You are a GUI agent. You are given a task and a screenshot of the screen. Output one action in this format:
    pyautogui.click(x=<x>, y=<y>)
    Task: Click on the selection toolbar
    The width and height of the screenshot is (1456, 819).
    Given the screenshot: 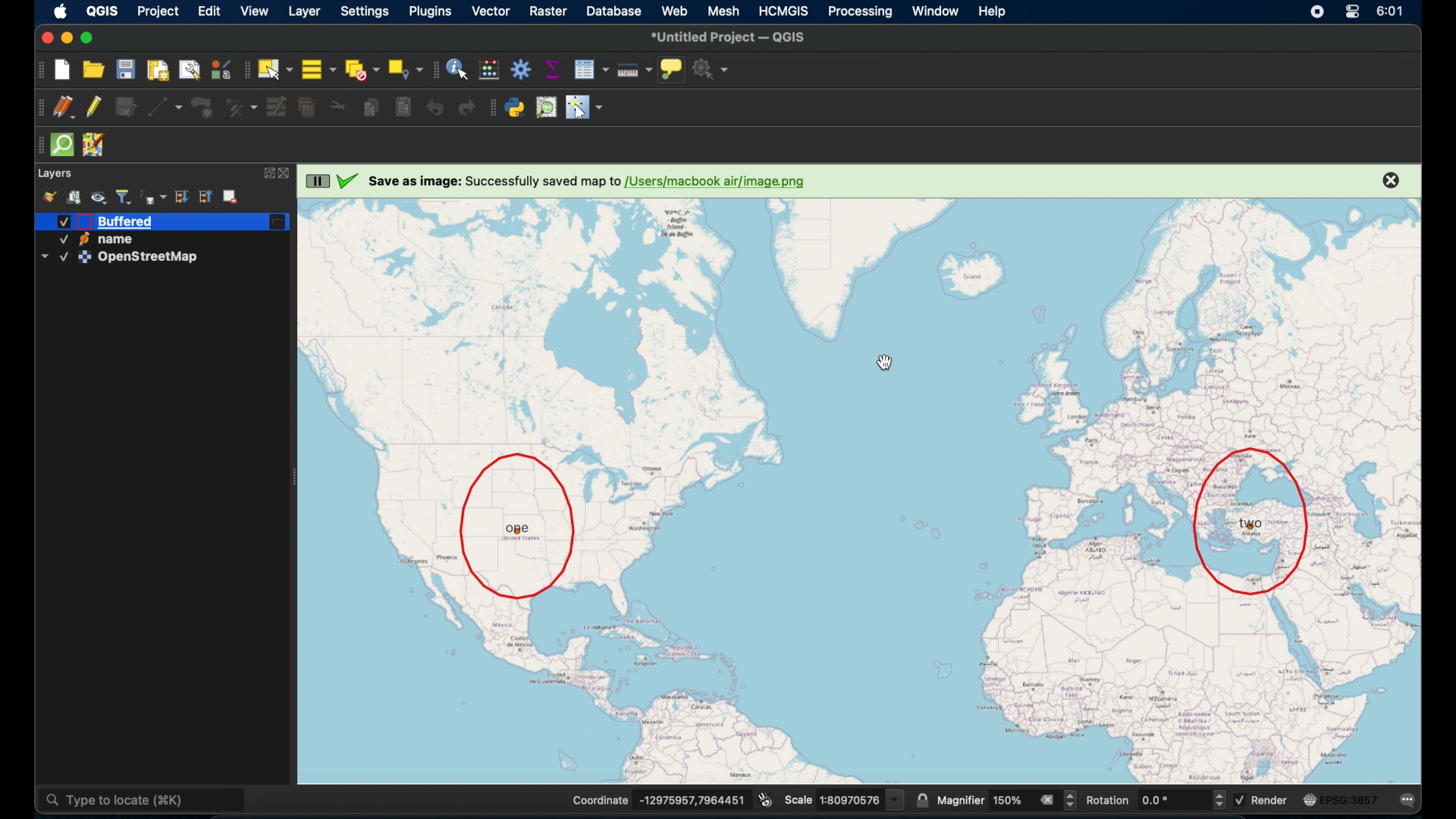 What is the action you would take?
    pyautogui.click(x=243, y=69)
    